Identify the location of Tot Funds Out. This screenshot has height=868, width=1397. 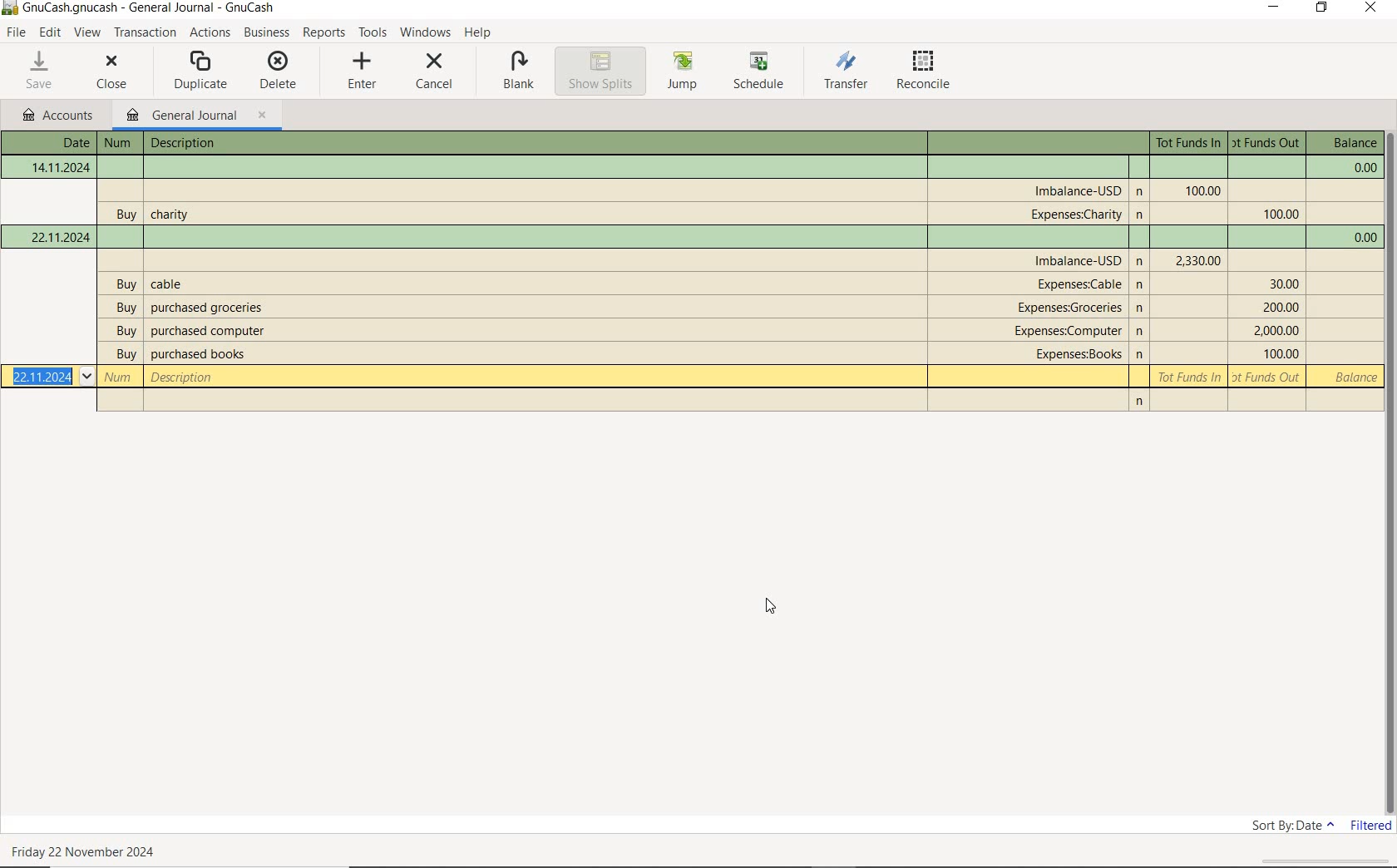
(1283, 284).